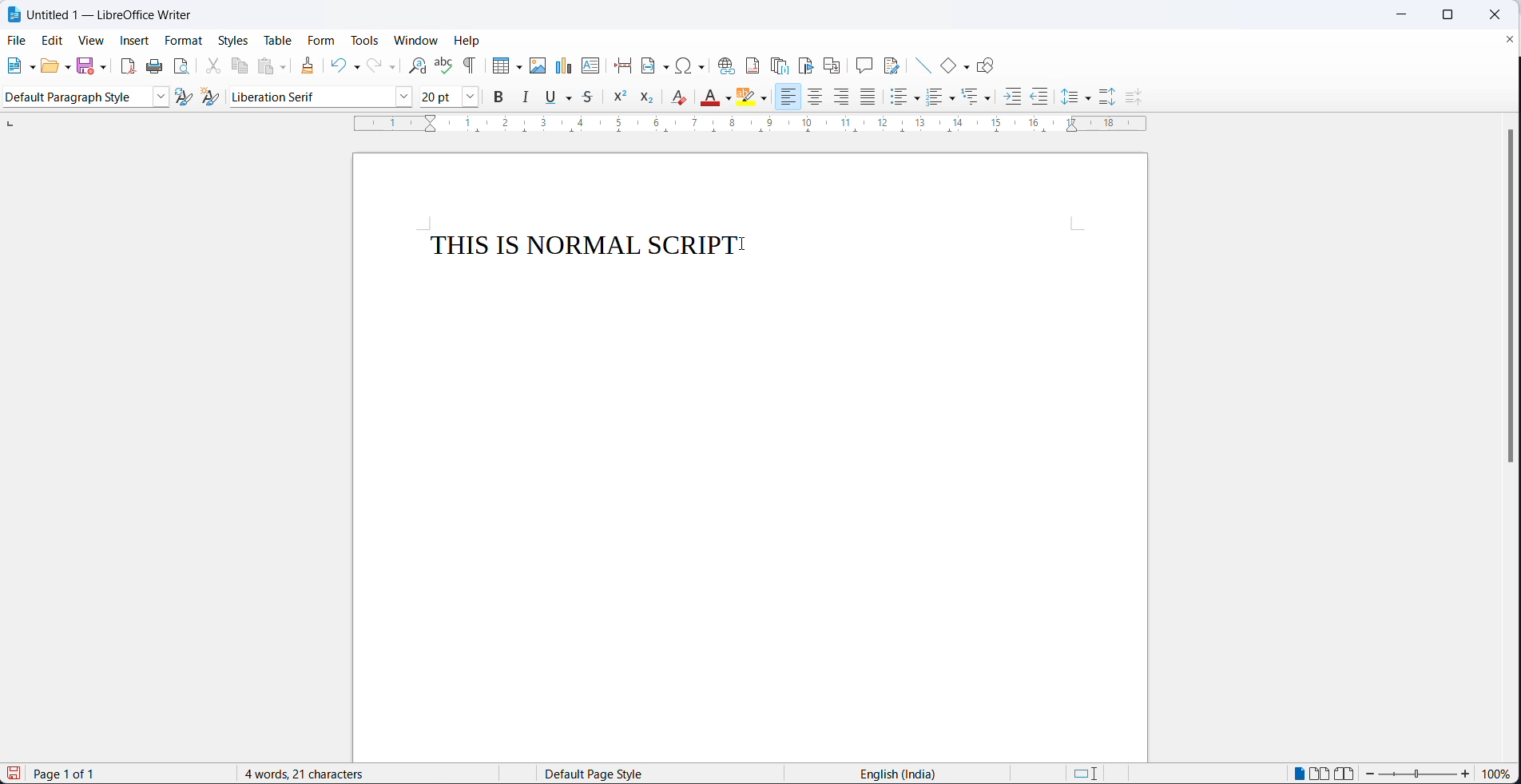  What do you see at coordinates (989, 62) in the screenshot?
I see `show draw functions` at bounding box center [989, 62].